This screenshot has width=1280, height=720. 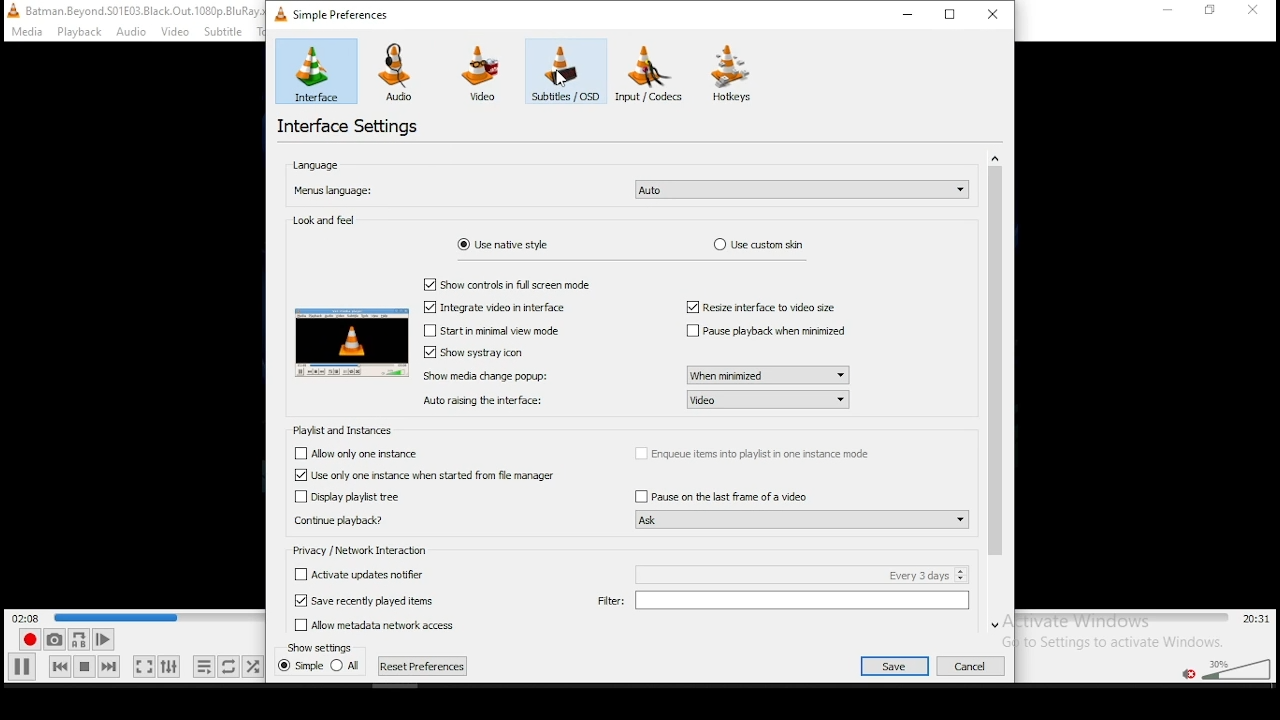 What do you see at coordinates (995, 13) in the screenshot?
I see `close window` at bounding box center [995, 13].